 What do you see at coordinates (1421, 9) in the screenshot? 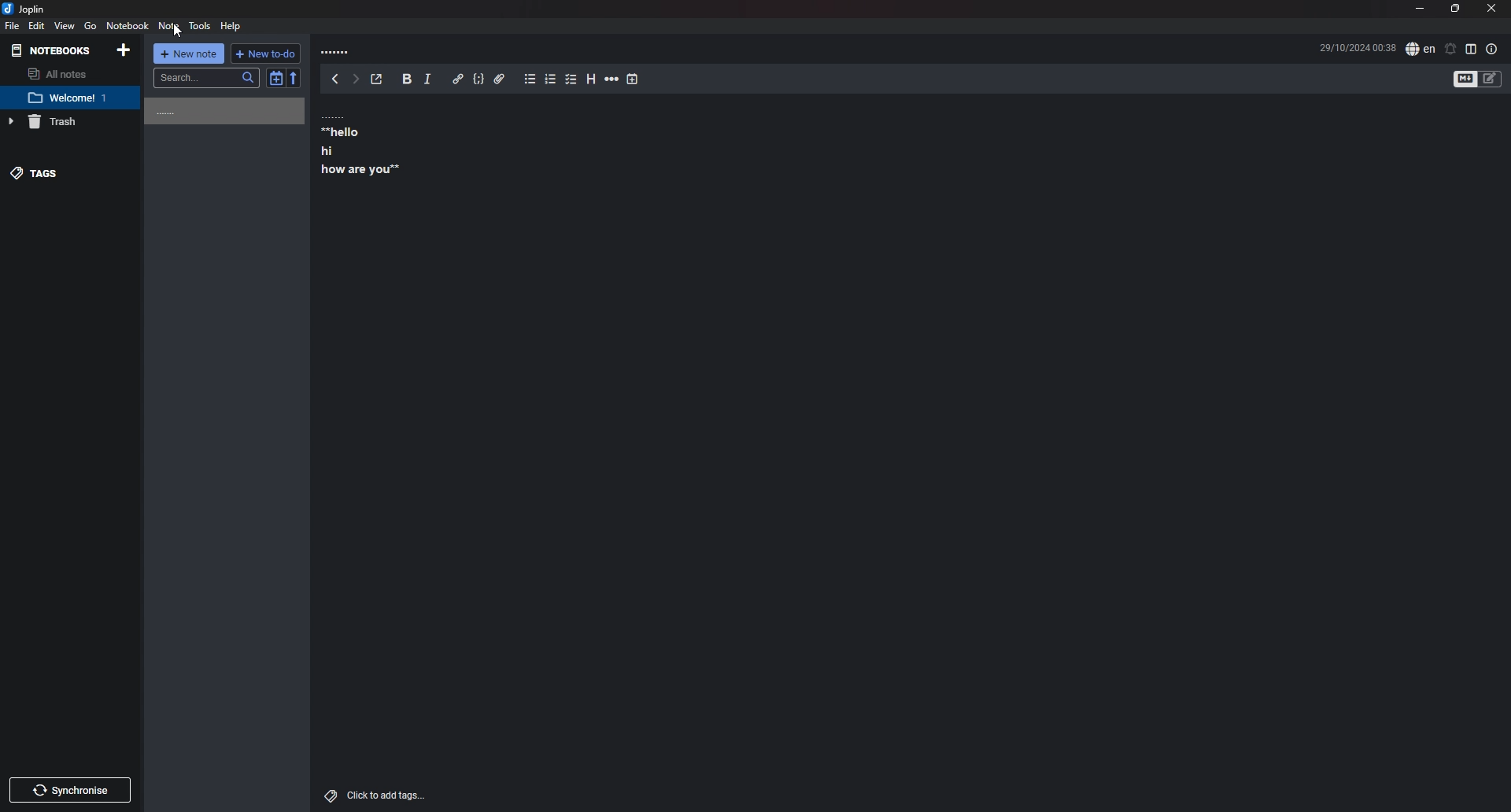
I see `Minimize` at bounding box center [1421, 9].